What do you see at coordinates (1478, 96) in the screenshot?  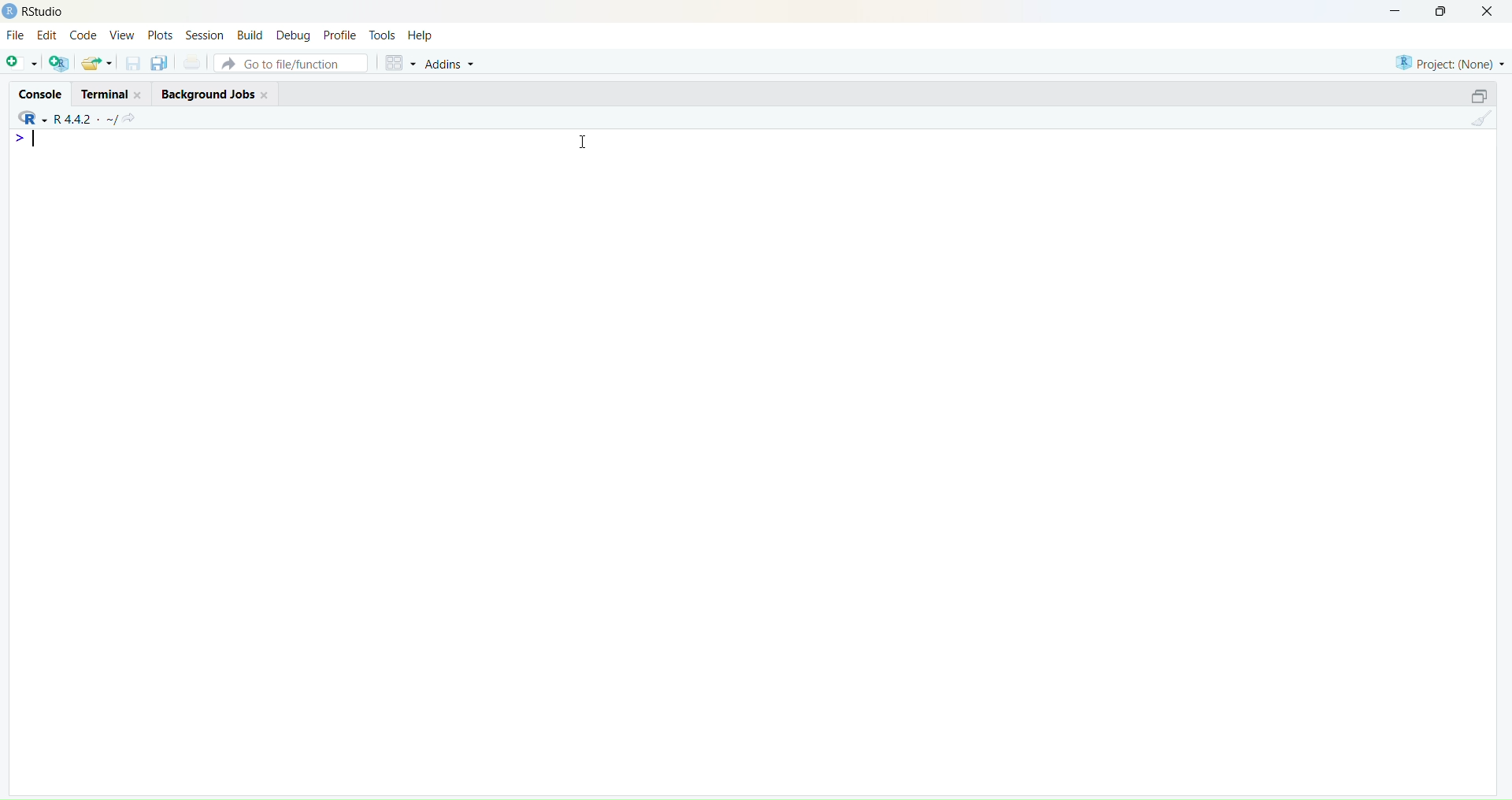 I see `open in a pop window` at bounding box center [1478, 96].